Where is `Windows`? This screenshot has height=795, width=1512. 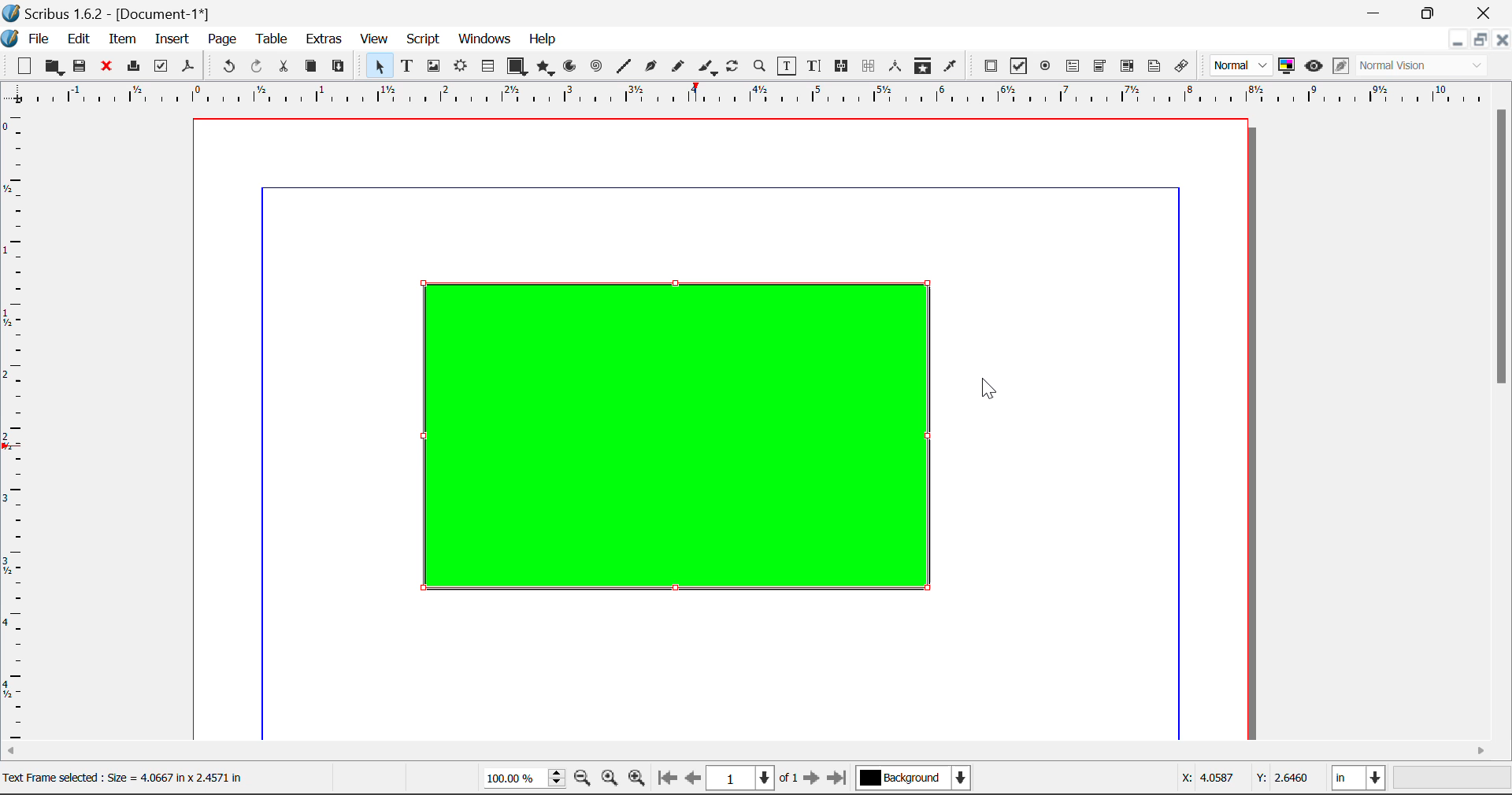 Windows is located at coordinates (484, 40).